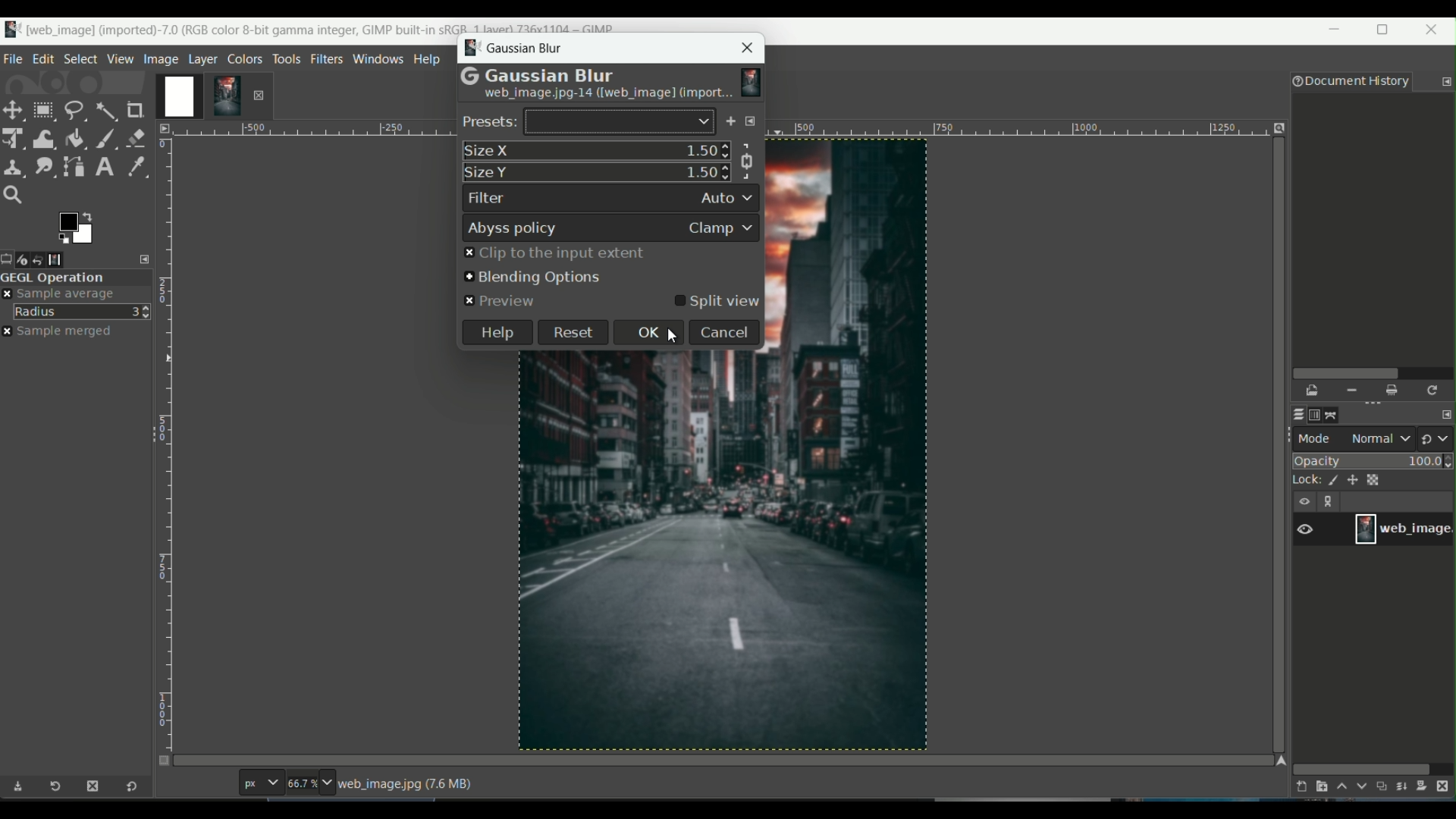 The width and height of the screenshot is (1456, 819). Describe the element at coordinates (161, 58) in the screenshot. I see `image tab` at that location.